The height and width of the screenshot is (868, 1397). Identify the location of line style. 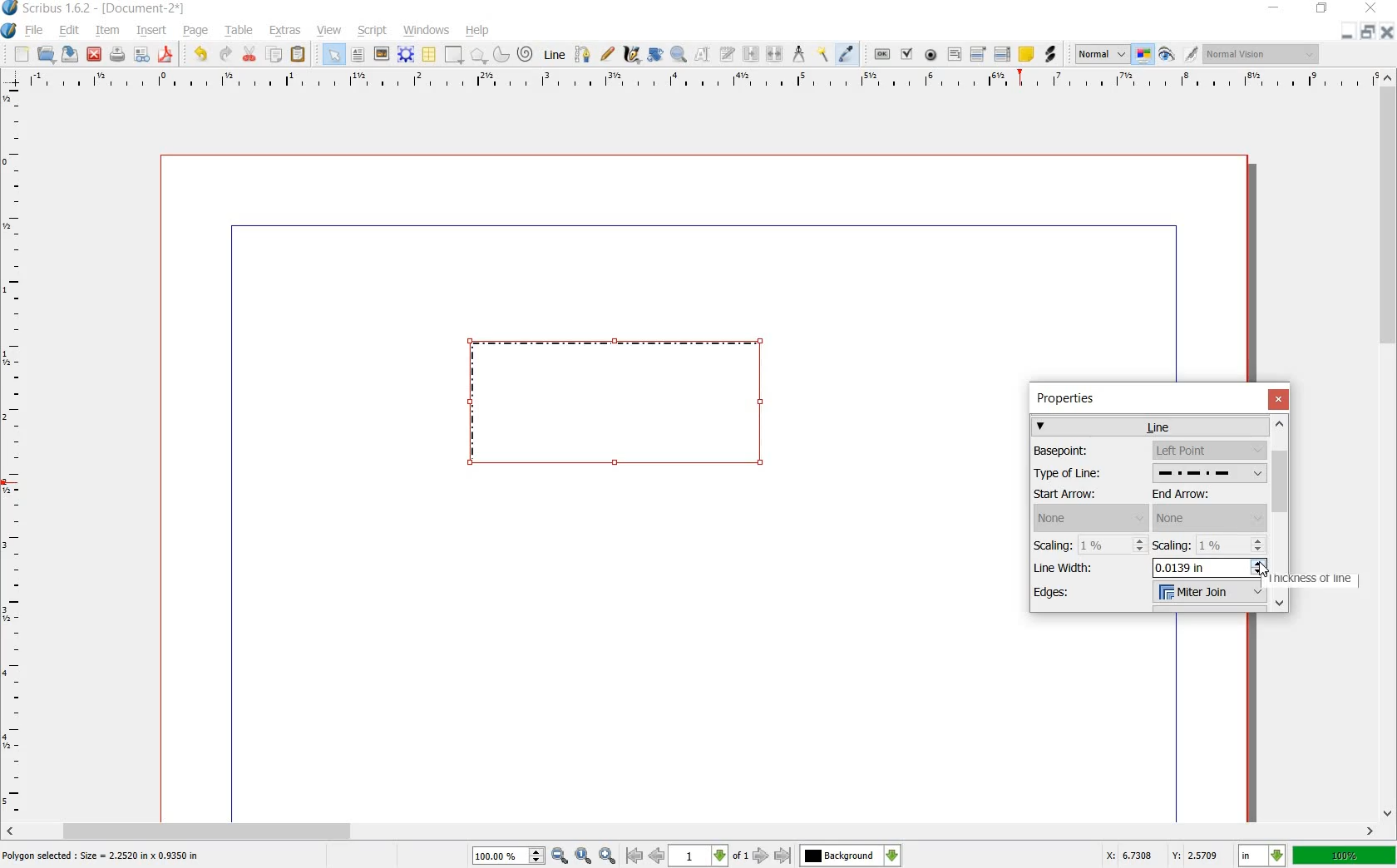
(1207, 474).